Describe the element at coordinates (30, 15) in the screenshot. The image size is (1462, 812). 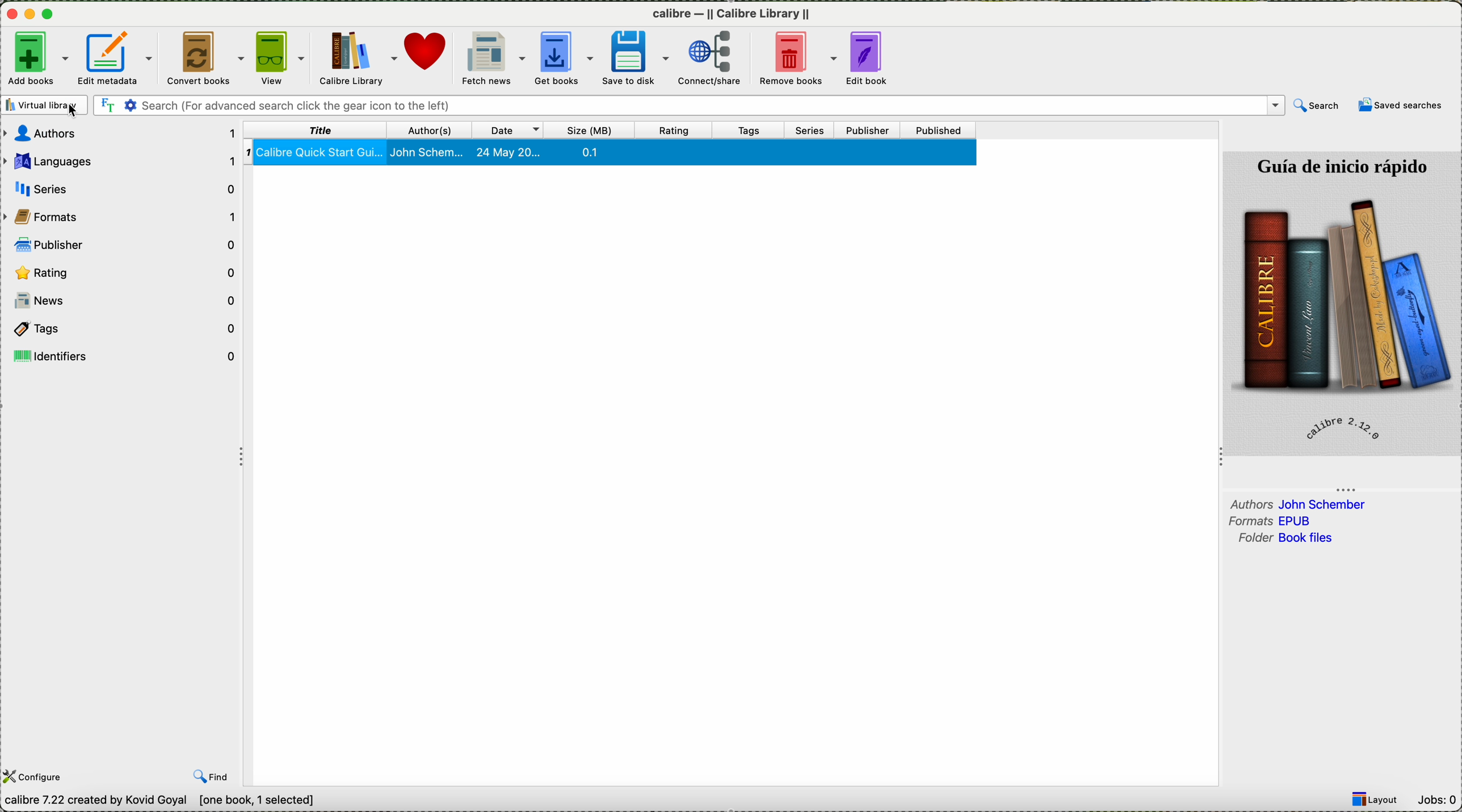
I see `minimize` at that location.